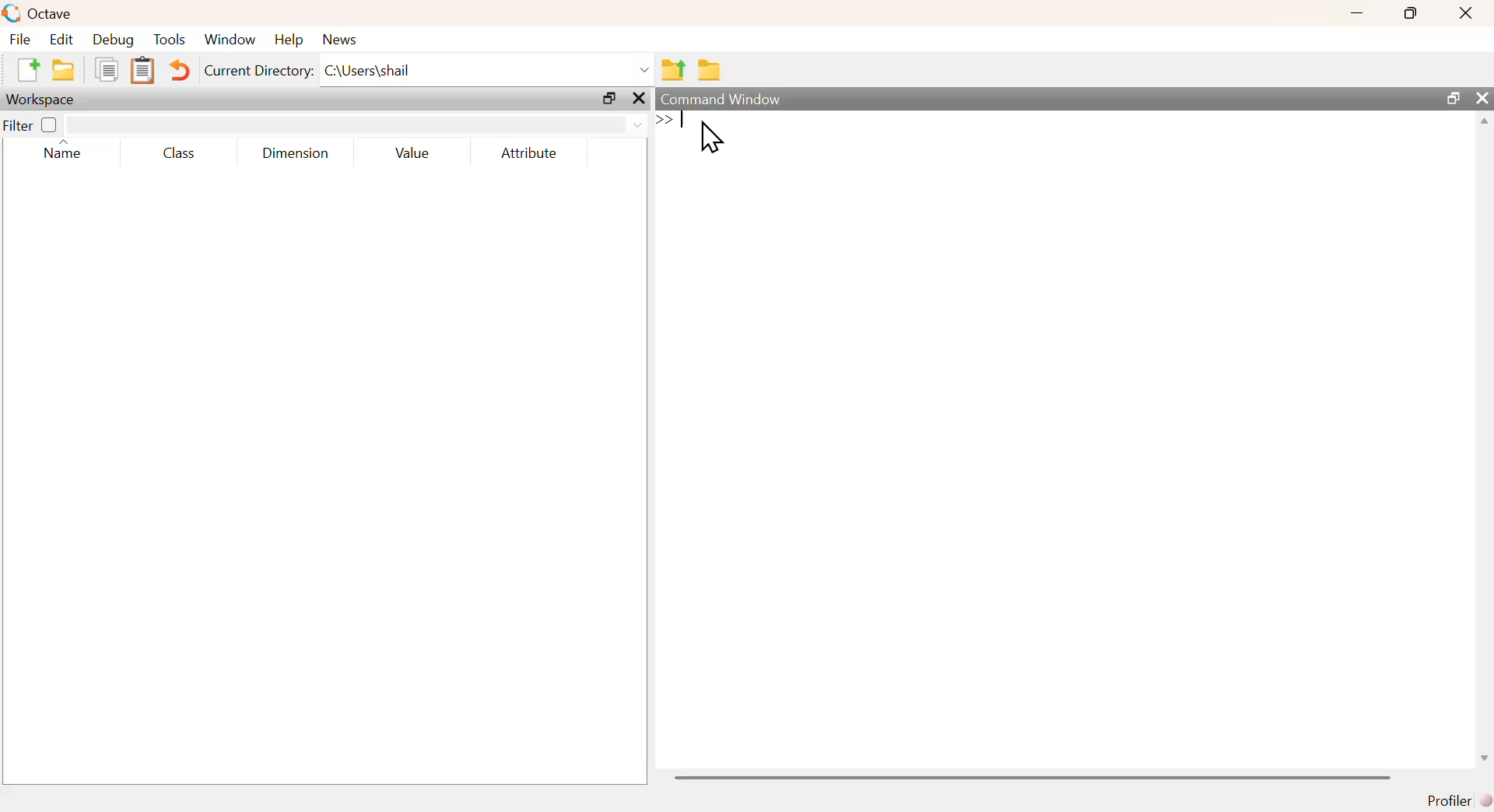  Describe the element at coordinates (534, 154) in the screenshot. I see `attribute` at that location.